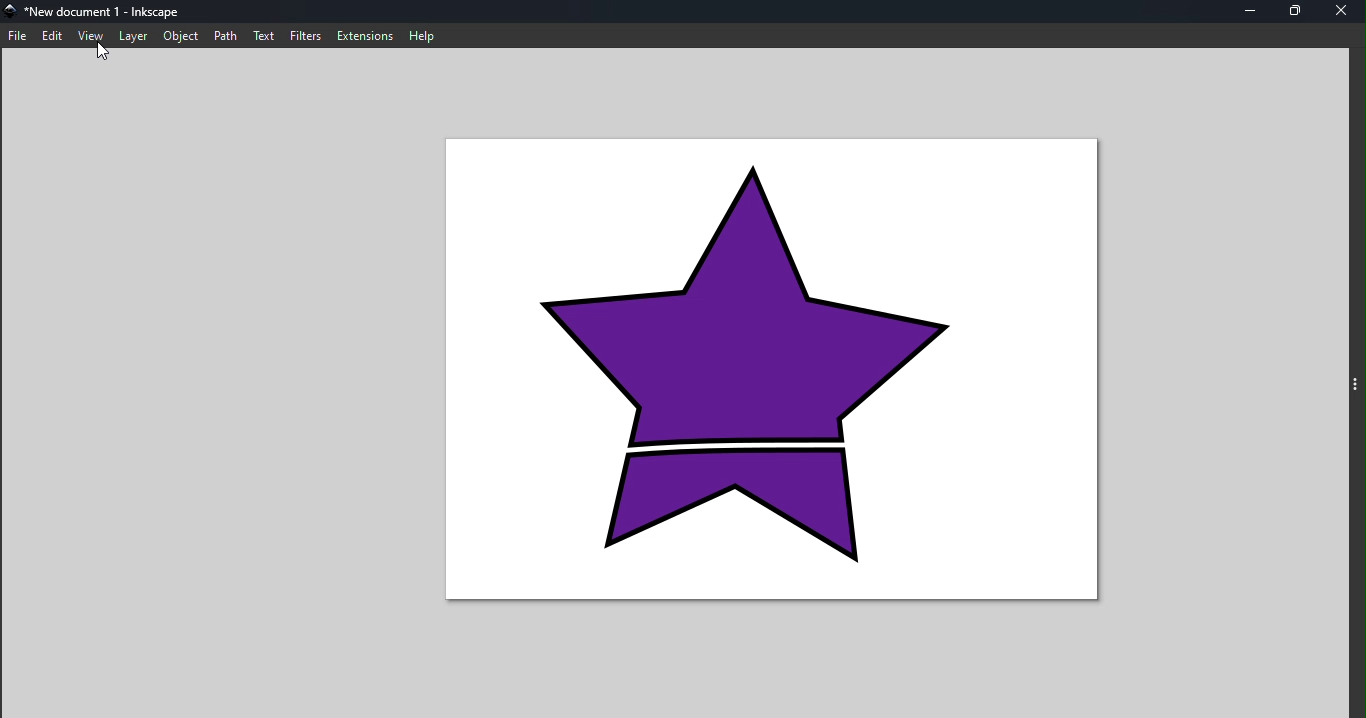 The image size is (1366, 718). What do you see at coordinates (55, 37) in the screenshot?
I see `Edit` at bounding box center [55, 37].